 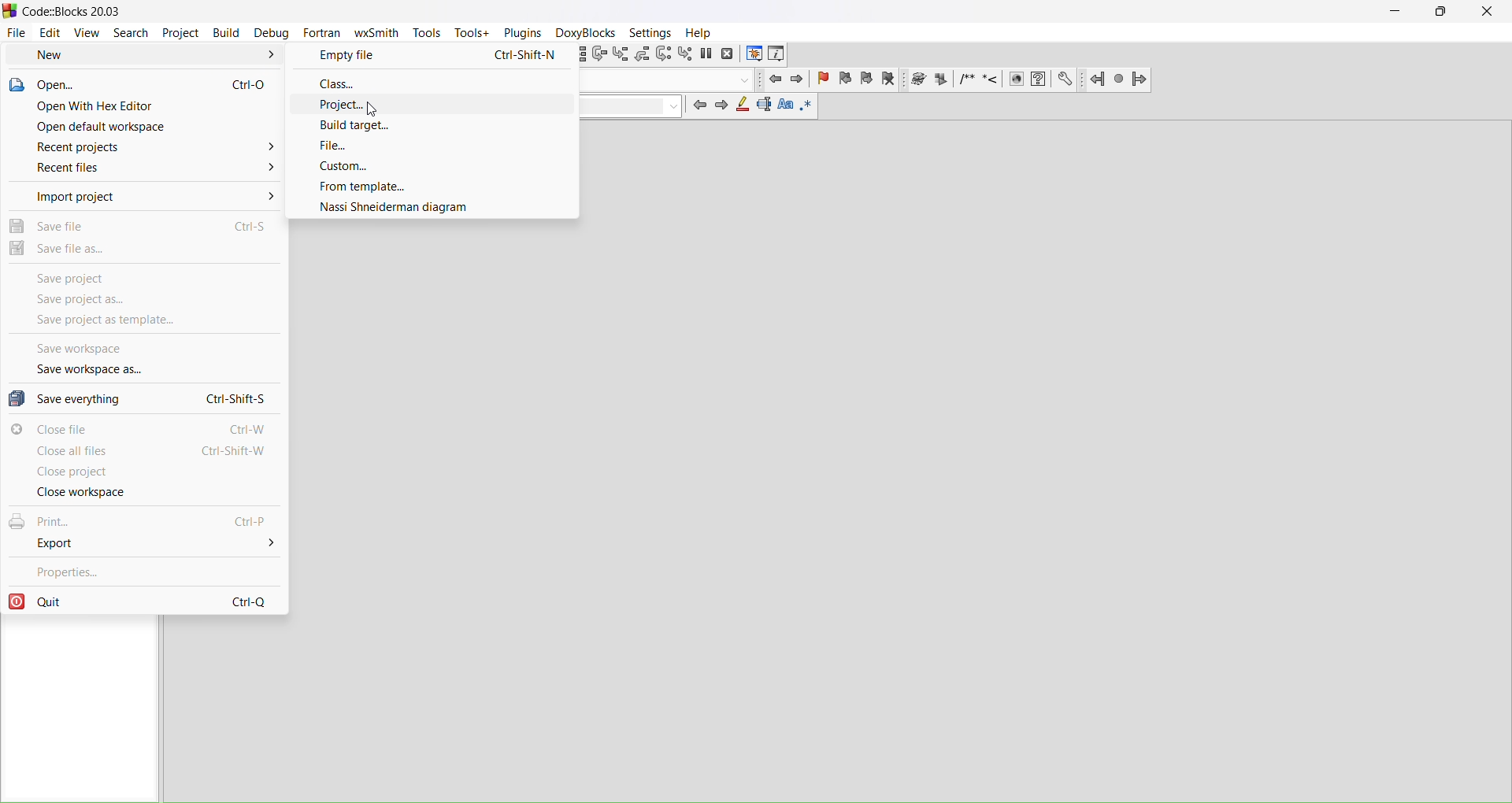 I want to click on tools, so click(x=426, y=33).